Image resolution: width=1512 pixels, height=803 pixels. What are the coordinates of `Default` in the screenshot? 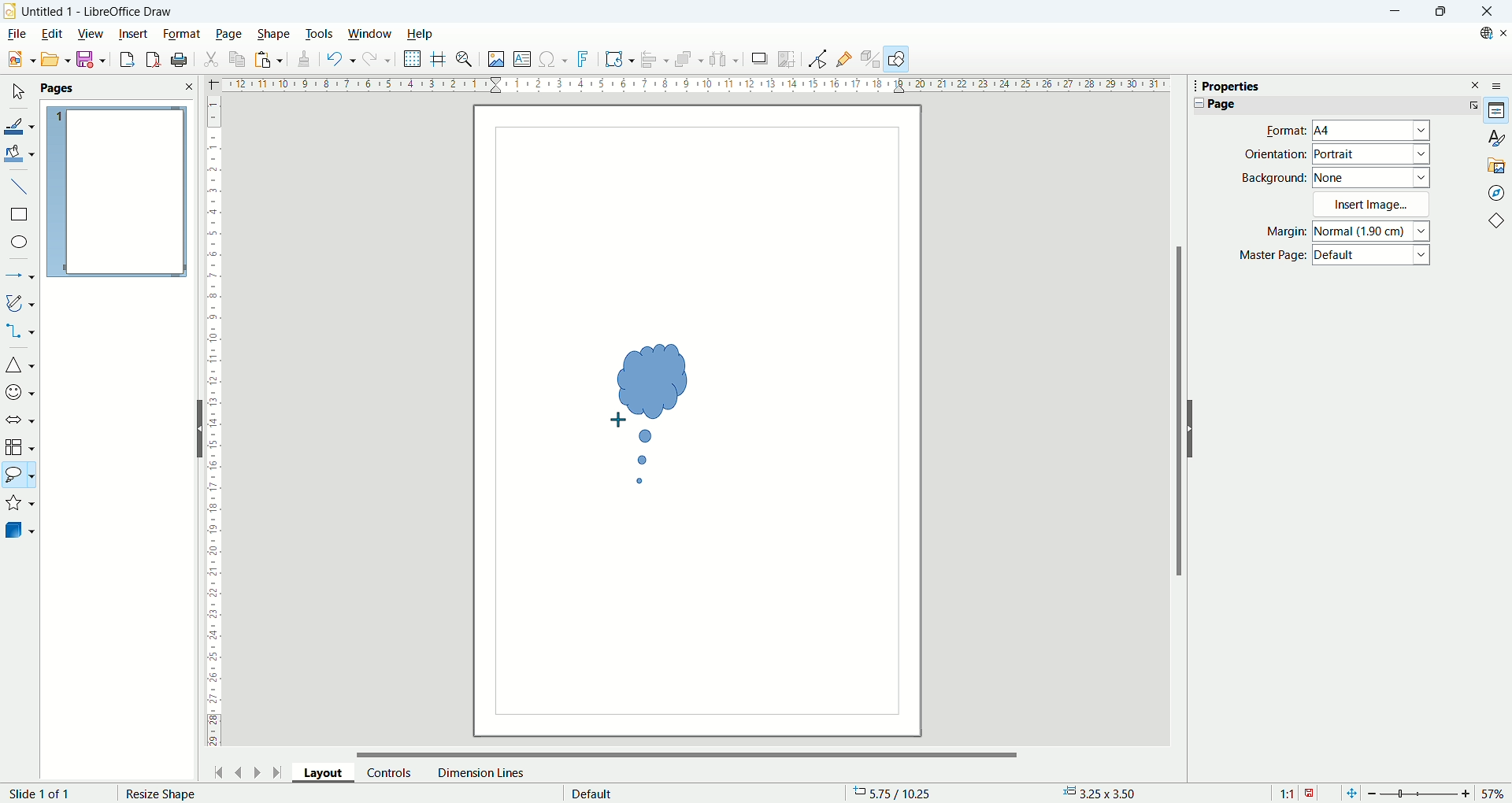 It's located at (1373, 257).